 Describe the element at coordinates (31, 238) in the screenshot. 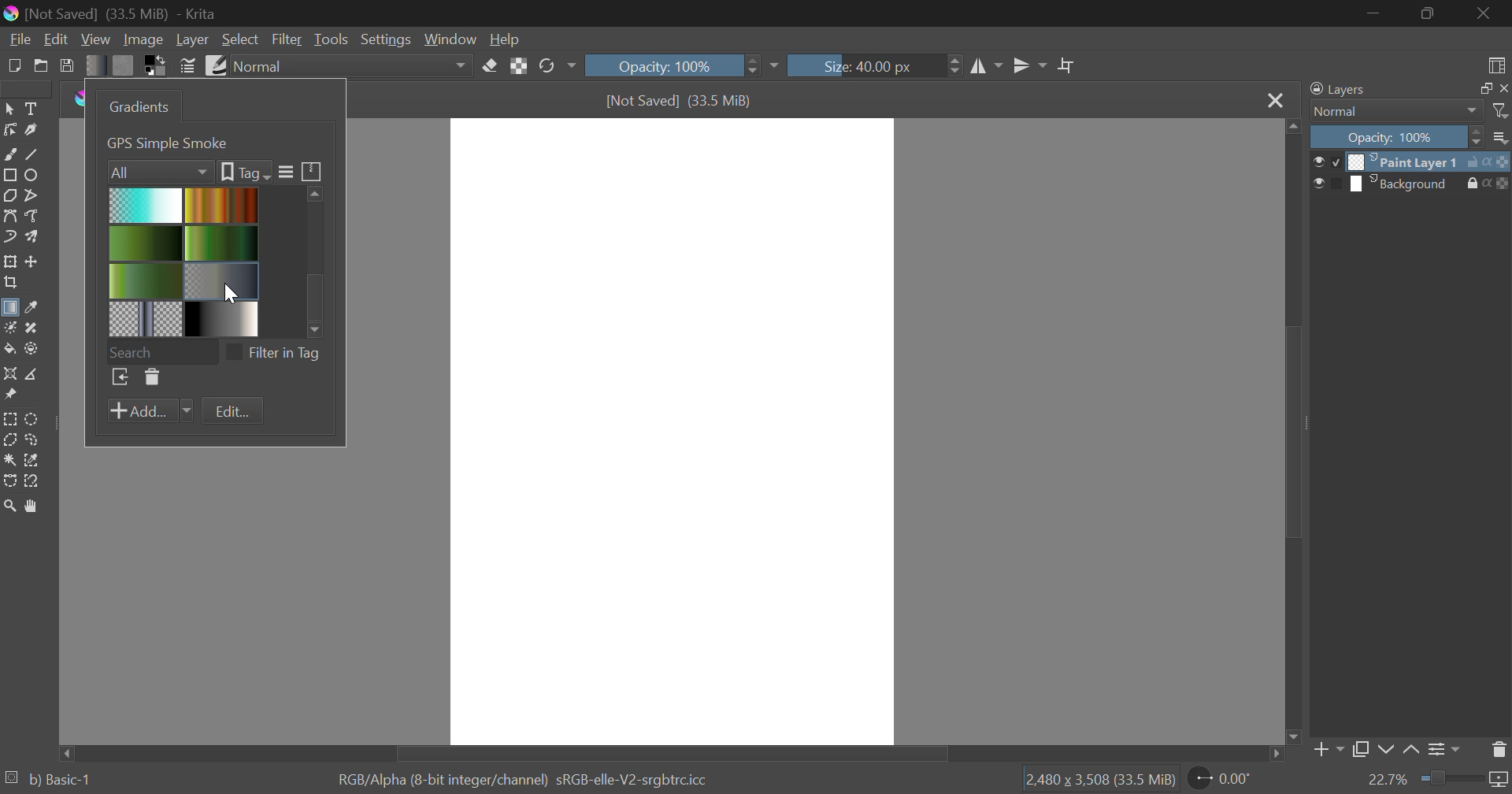

I see `Multibrush Tool` at that location.